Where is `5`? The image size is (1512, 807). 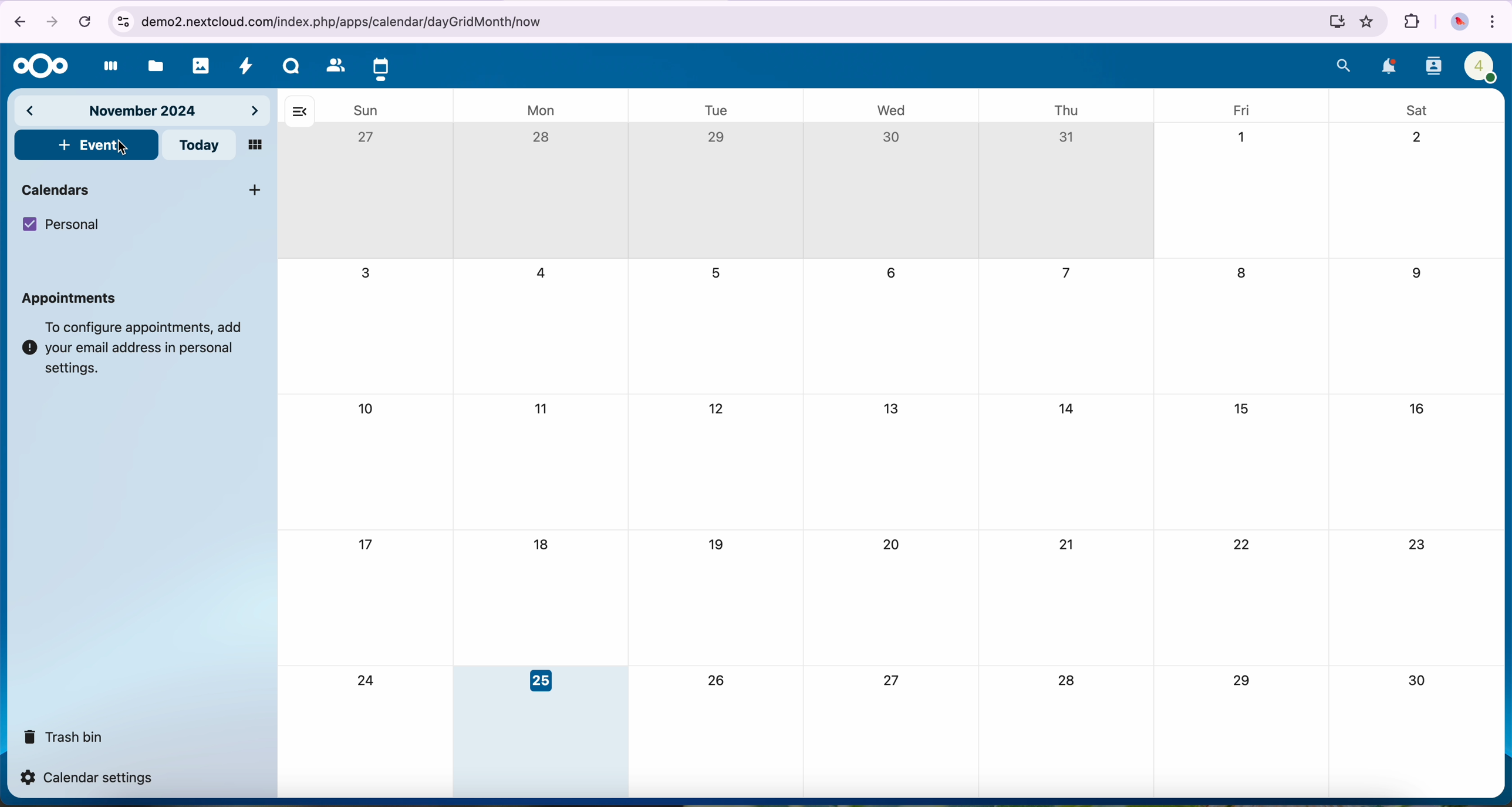
5 is located at coordinates (718, 273).